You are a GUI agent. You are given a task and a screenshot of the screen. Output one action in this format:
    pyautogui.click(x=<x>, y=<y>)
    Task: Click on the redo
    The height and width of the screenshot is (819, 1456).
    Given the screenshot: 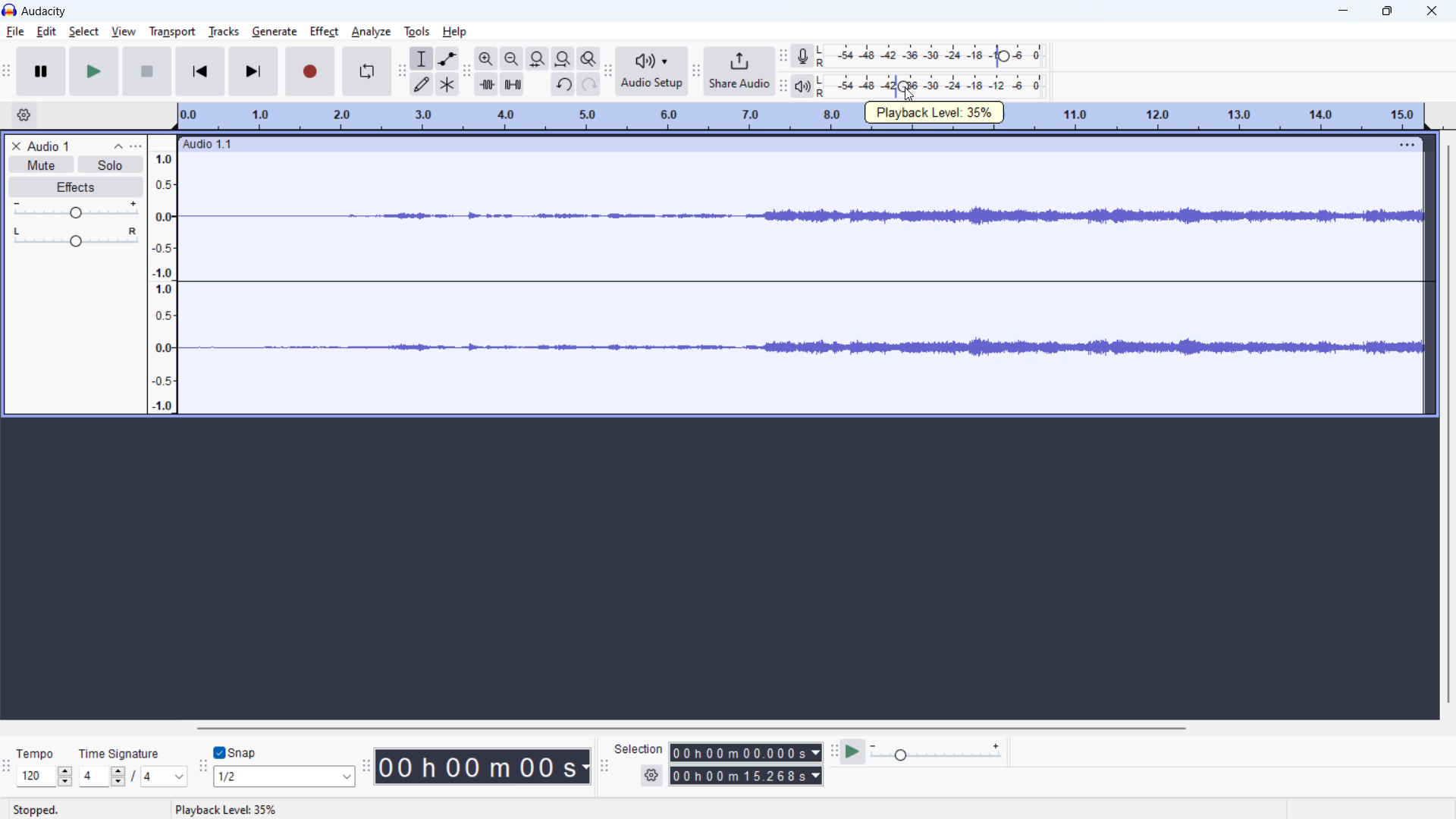 What is the action you would take?
    pyautogui.click(x=588, y=84)
    